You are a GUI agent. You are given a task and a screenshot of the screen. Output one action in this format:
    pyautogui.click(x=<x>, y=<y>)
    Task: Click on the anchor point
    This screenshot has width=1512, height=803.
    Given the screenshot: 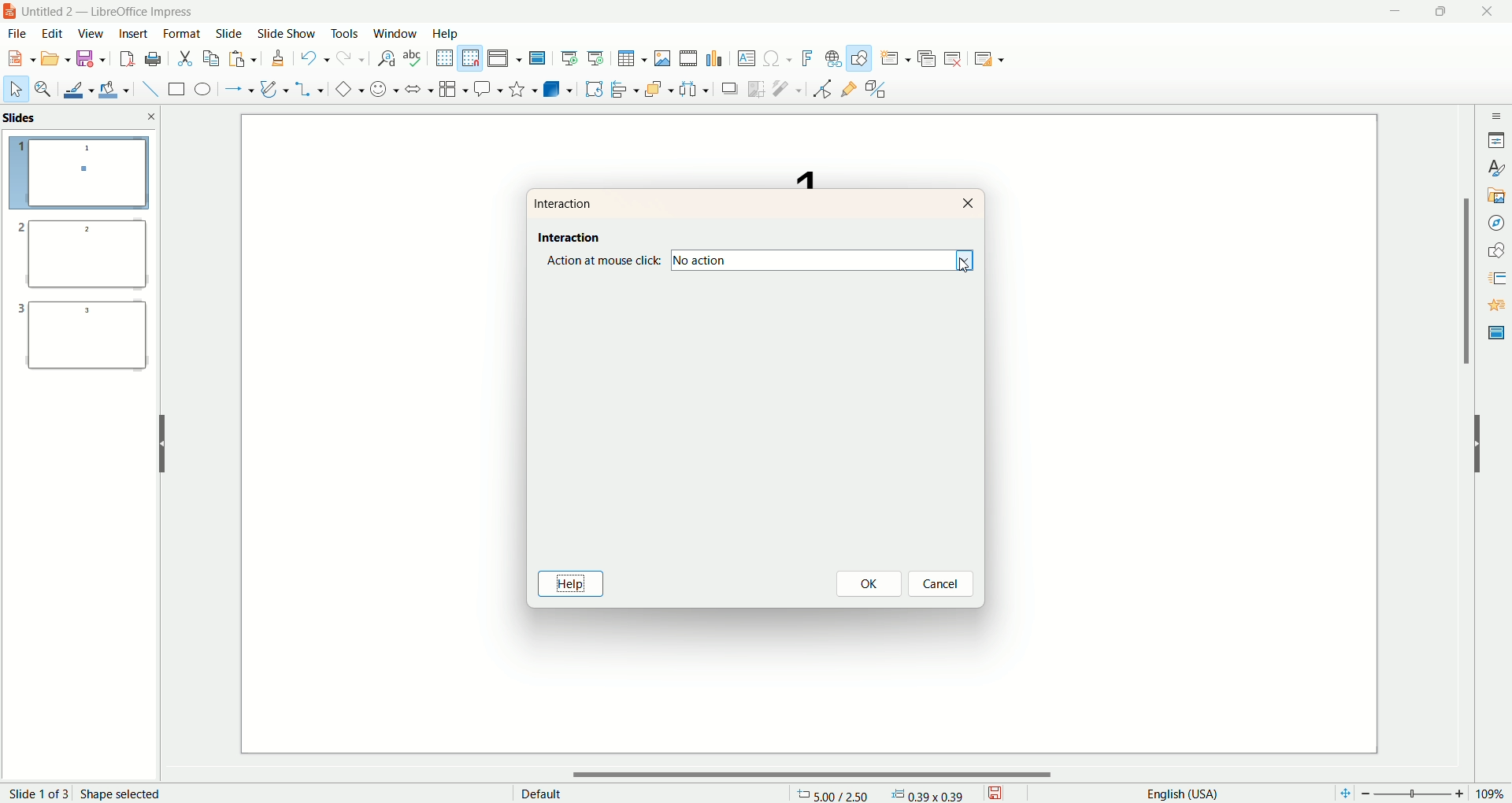 What is the action you would take?
    pyautogui.click(x=935, y=794)
    